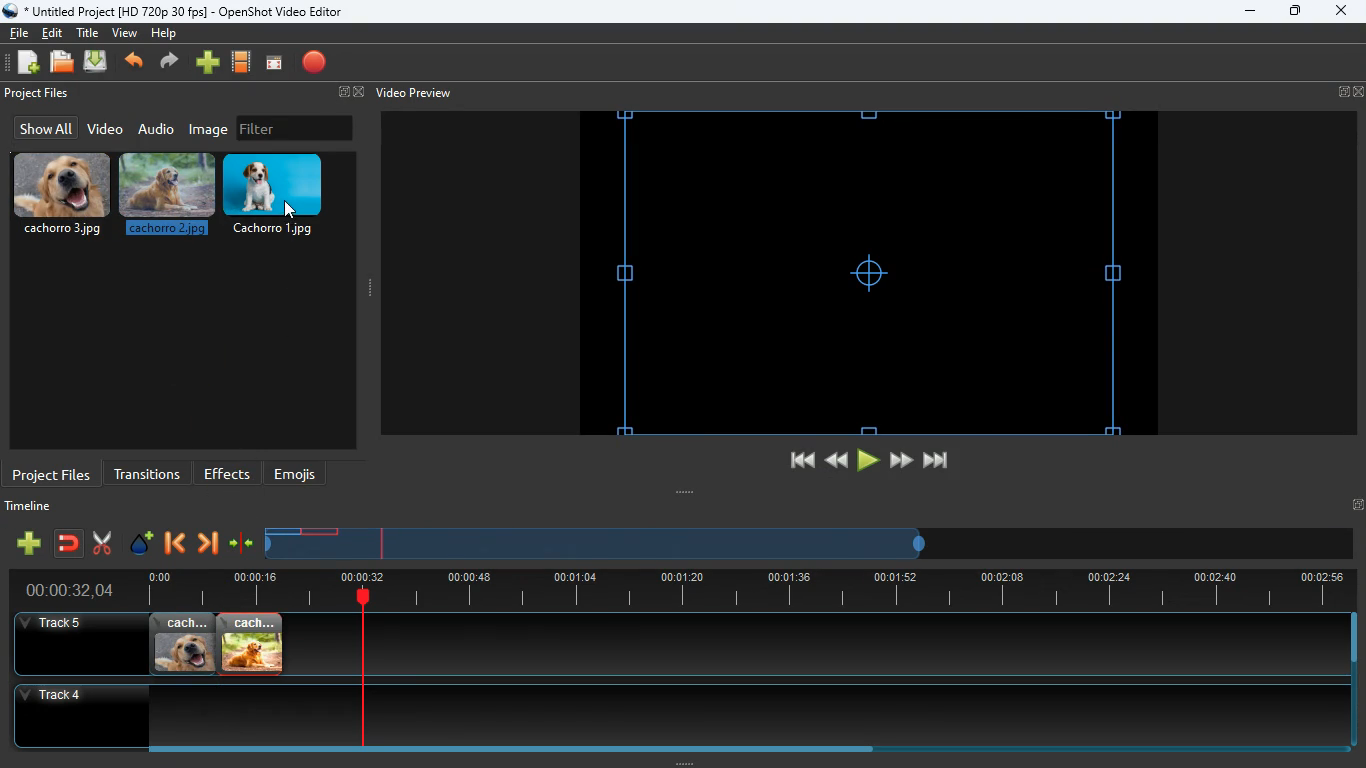  I want to click on maximize, so click(1296, 13).